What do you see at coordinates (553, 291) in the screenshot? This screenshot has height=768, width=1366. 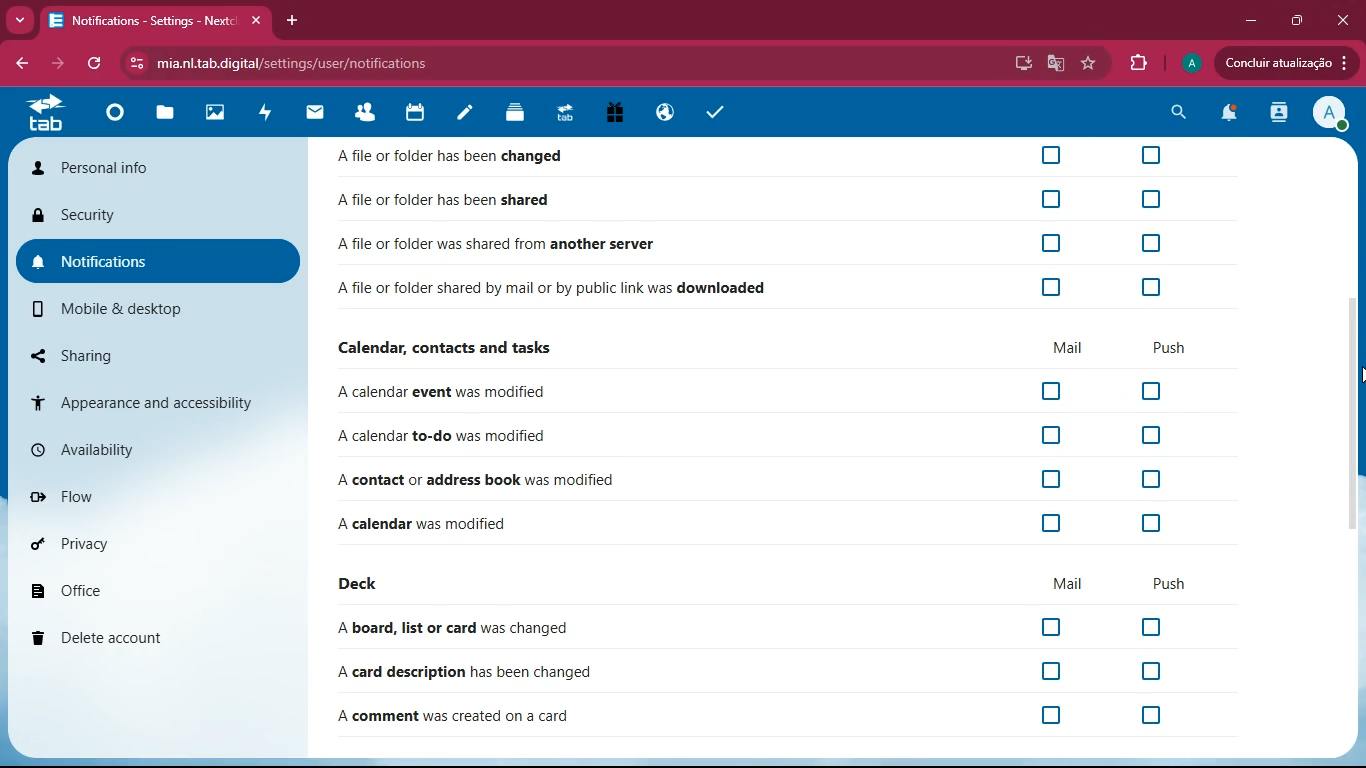 I see `A file or folder shared by mail or by public link was downloaded` at bounding box center [553, 291].